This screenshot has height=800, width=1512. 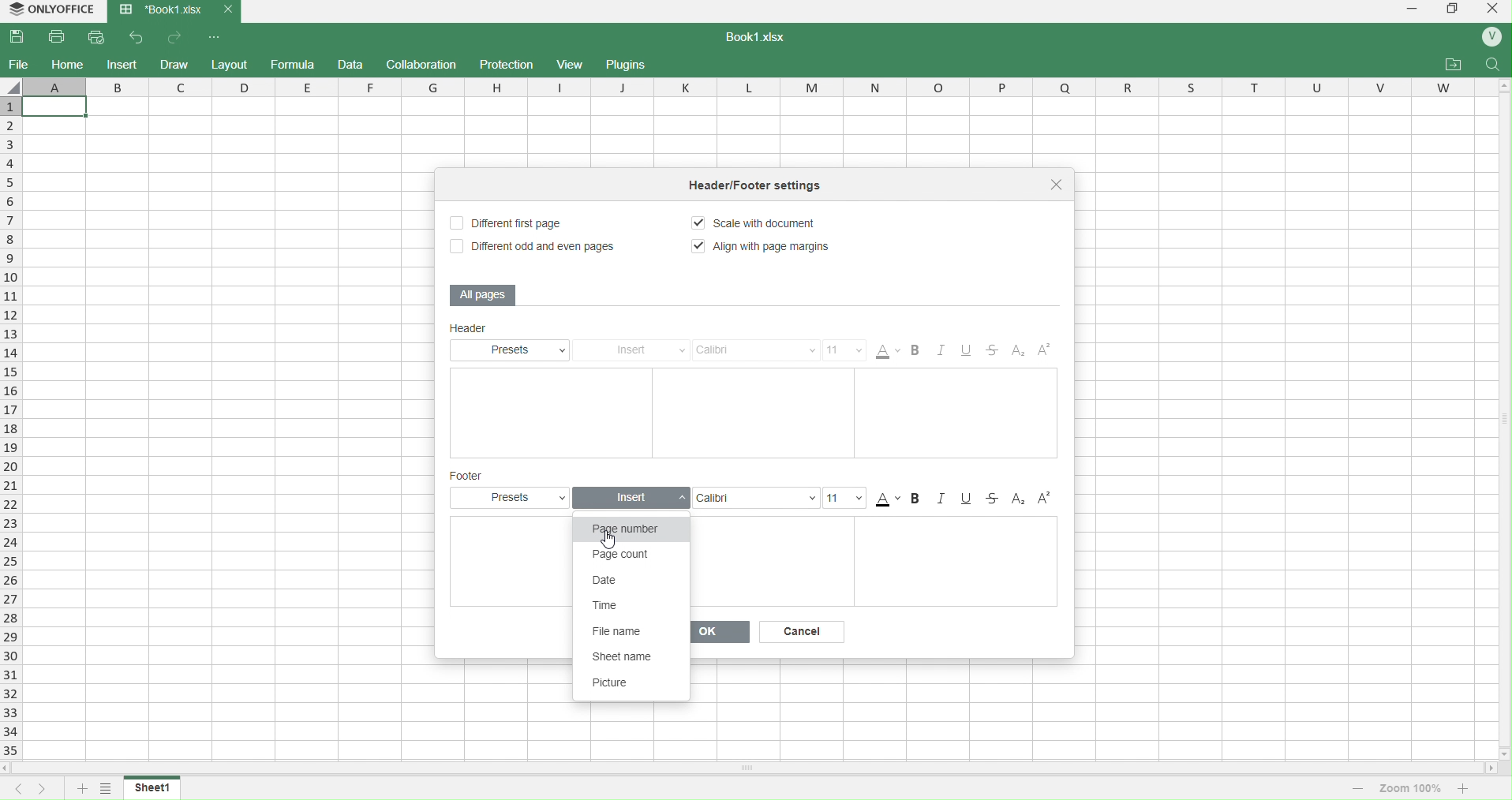 What do you see at coordinates (1491, 769) in the screenshot?
I see `move right` at bounding box center [1491, 769].